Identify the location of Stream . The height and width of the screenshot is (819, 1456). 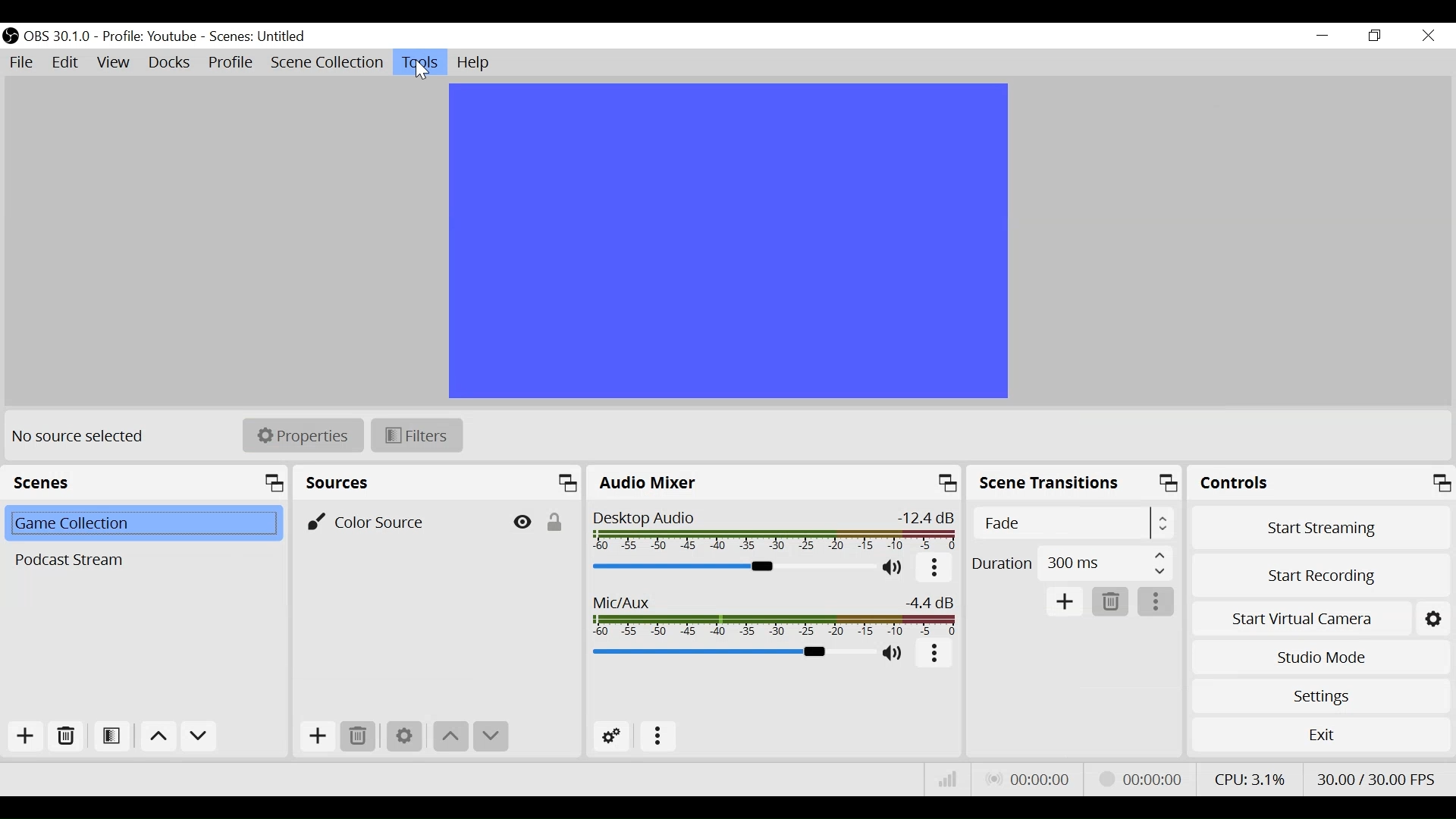
(1144, 779).